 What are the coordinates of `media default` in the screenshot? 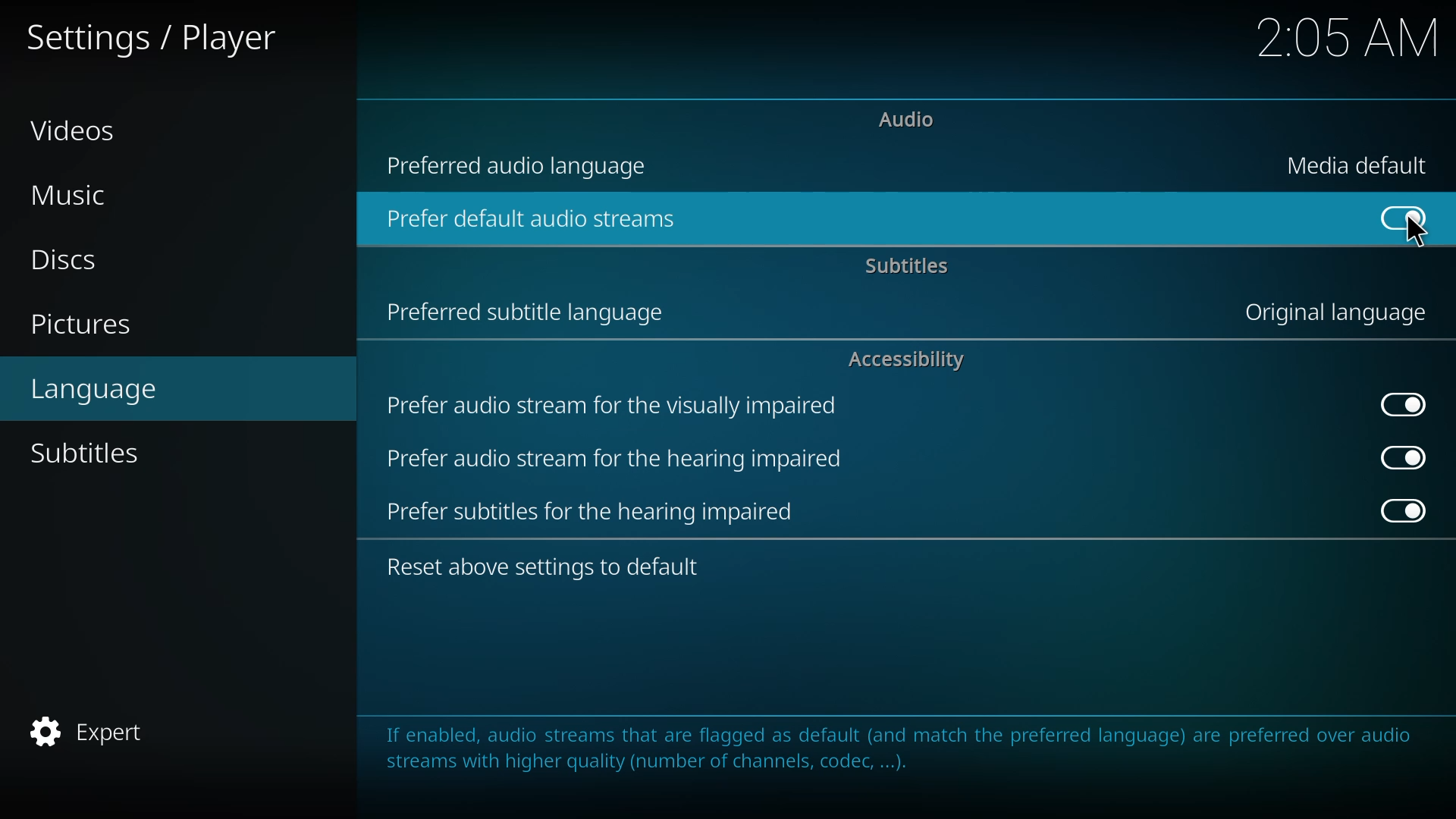 It's located at (1360, 165).